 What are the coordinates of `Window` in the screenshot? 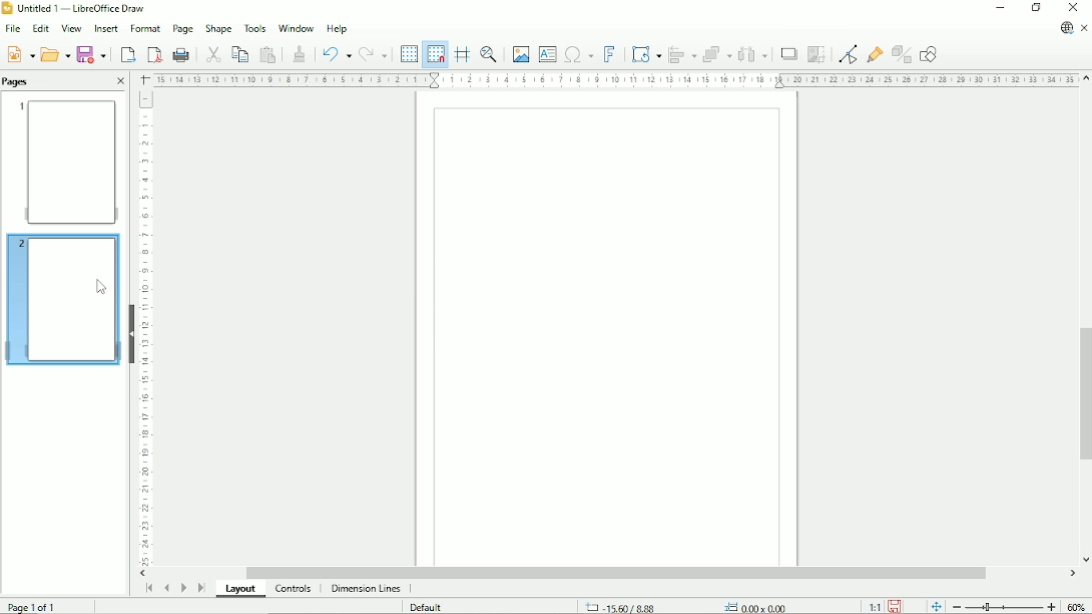 It's located at (296, 26).